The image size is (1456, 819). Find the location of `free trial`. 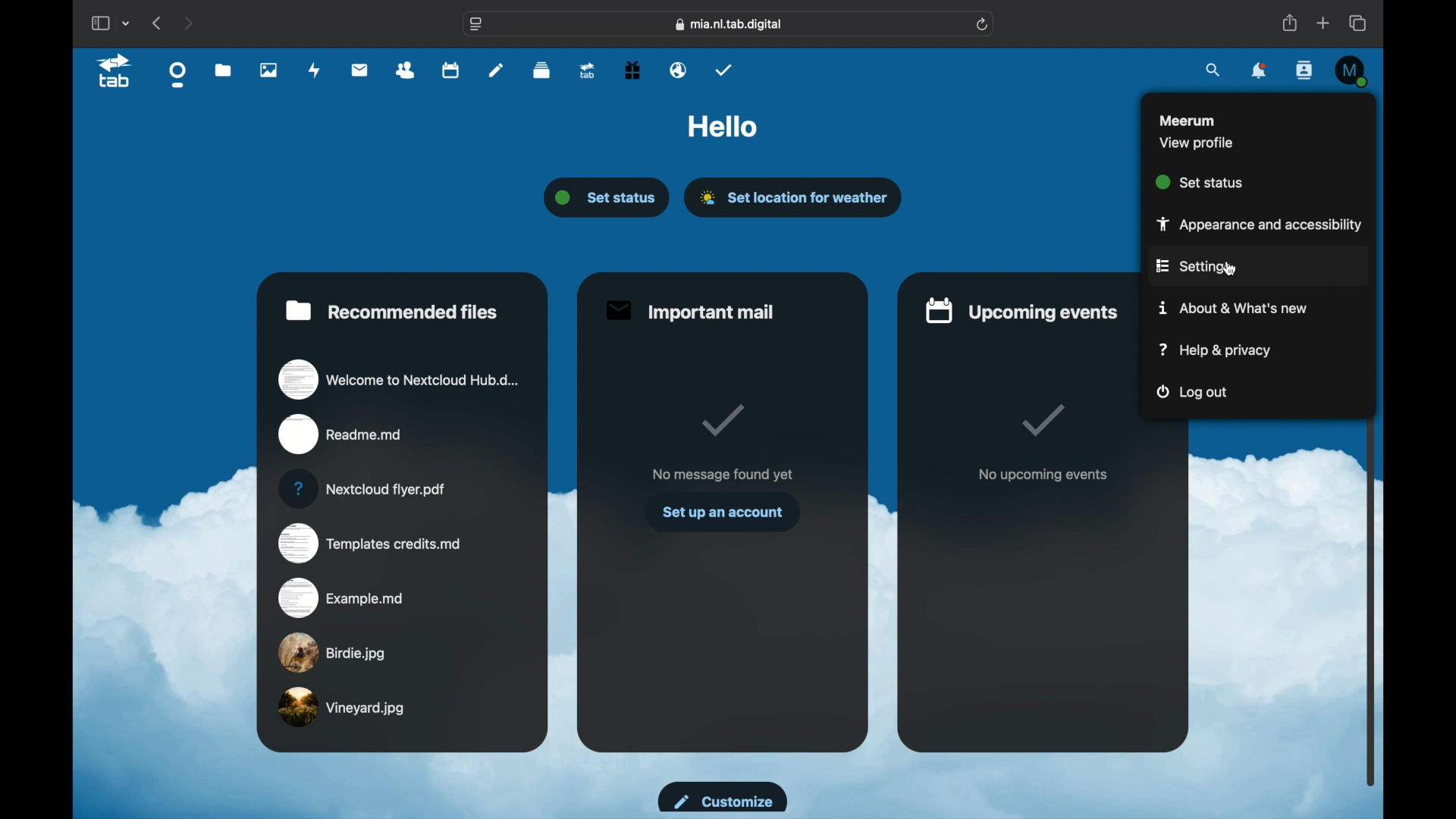

free trial is located at coordinates (632, 70).